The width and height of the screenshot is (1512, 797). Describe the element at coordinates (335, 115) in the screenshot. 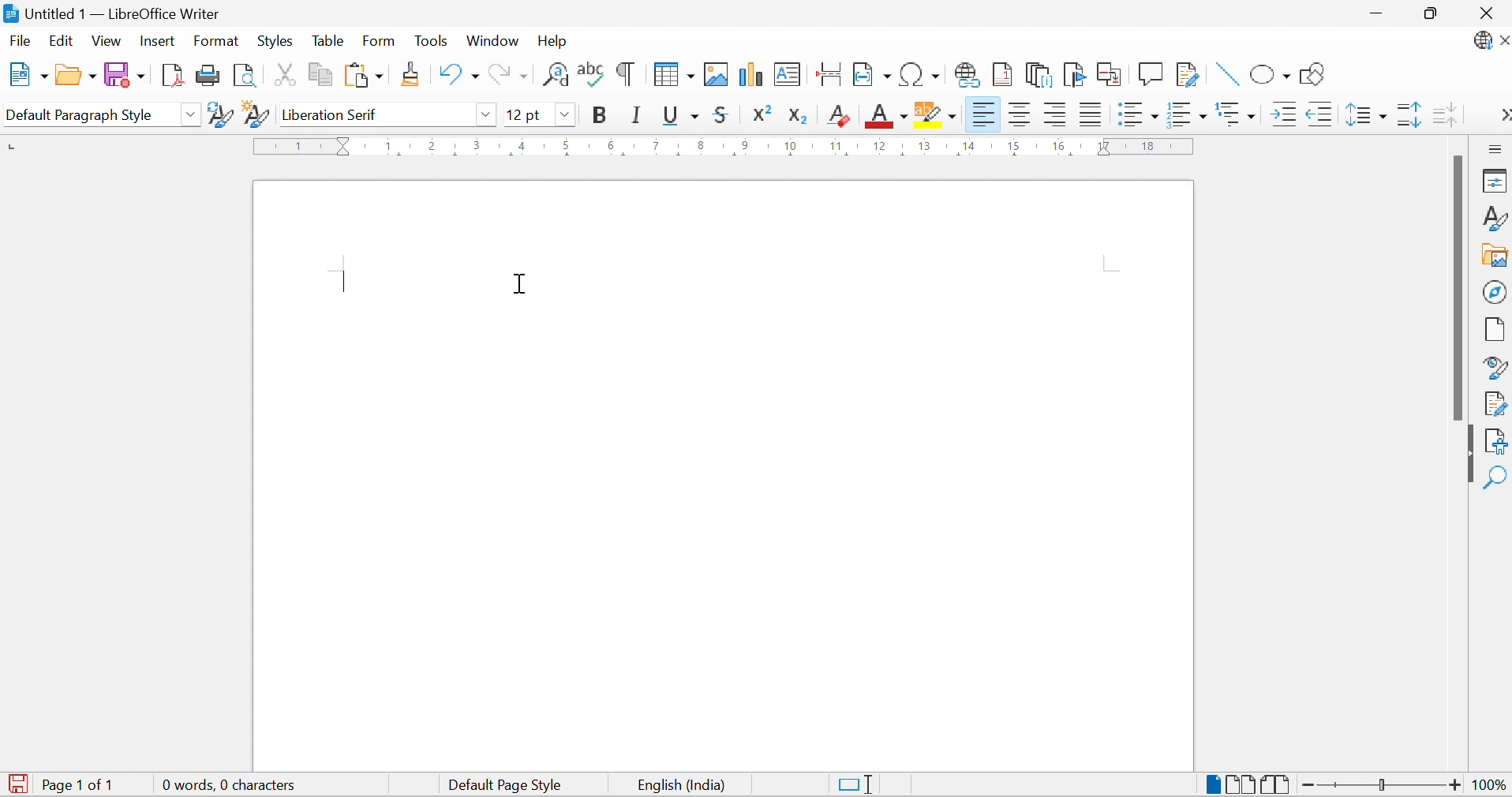

I see `Liberation Serif` at that location.